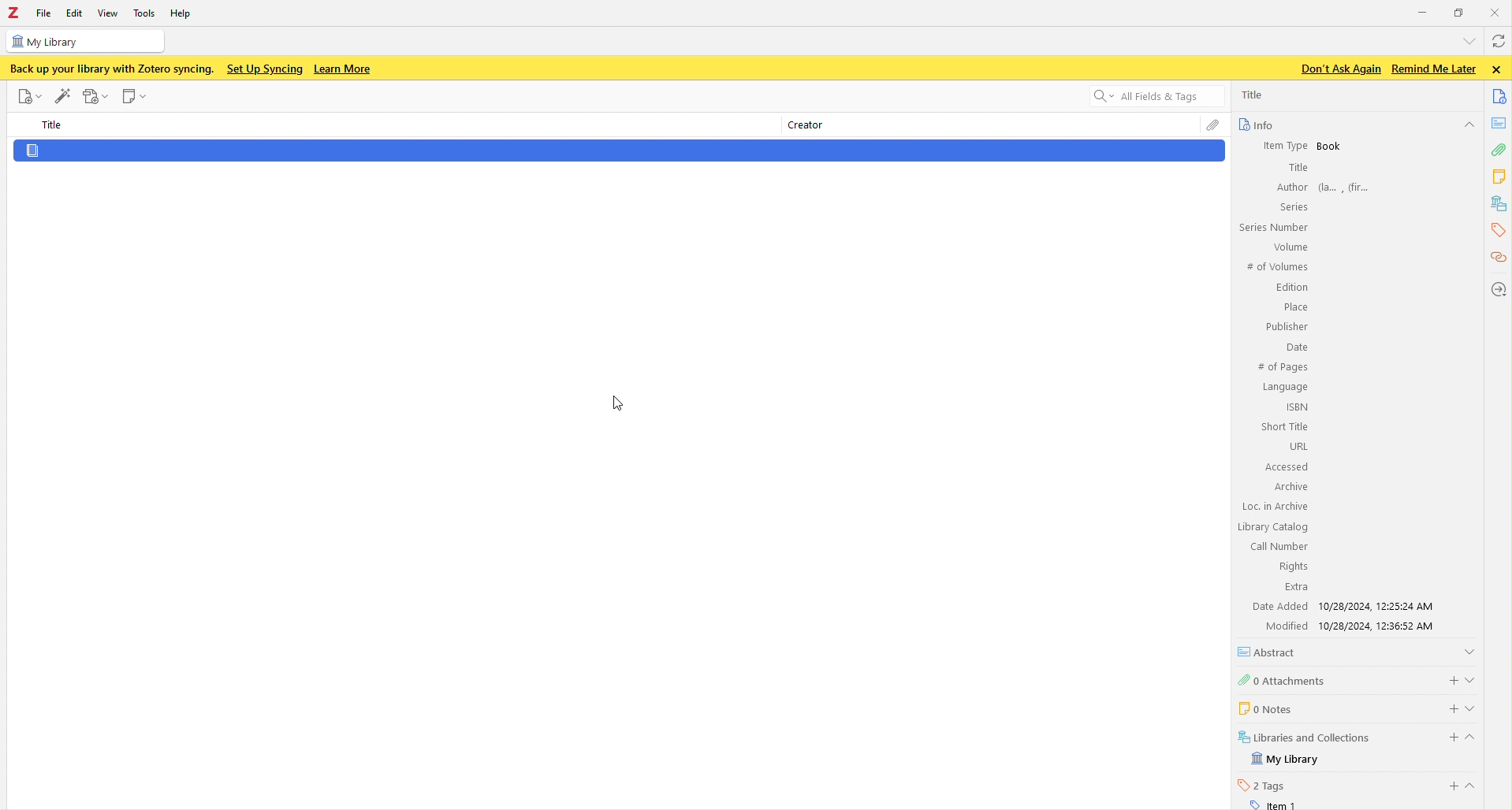 This screenshot has height=810, width=1512. Describe the element at coordinates (1381, 606) in the screenshot. I see `10/28/2024, 12:25:24 AM` at that location.